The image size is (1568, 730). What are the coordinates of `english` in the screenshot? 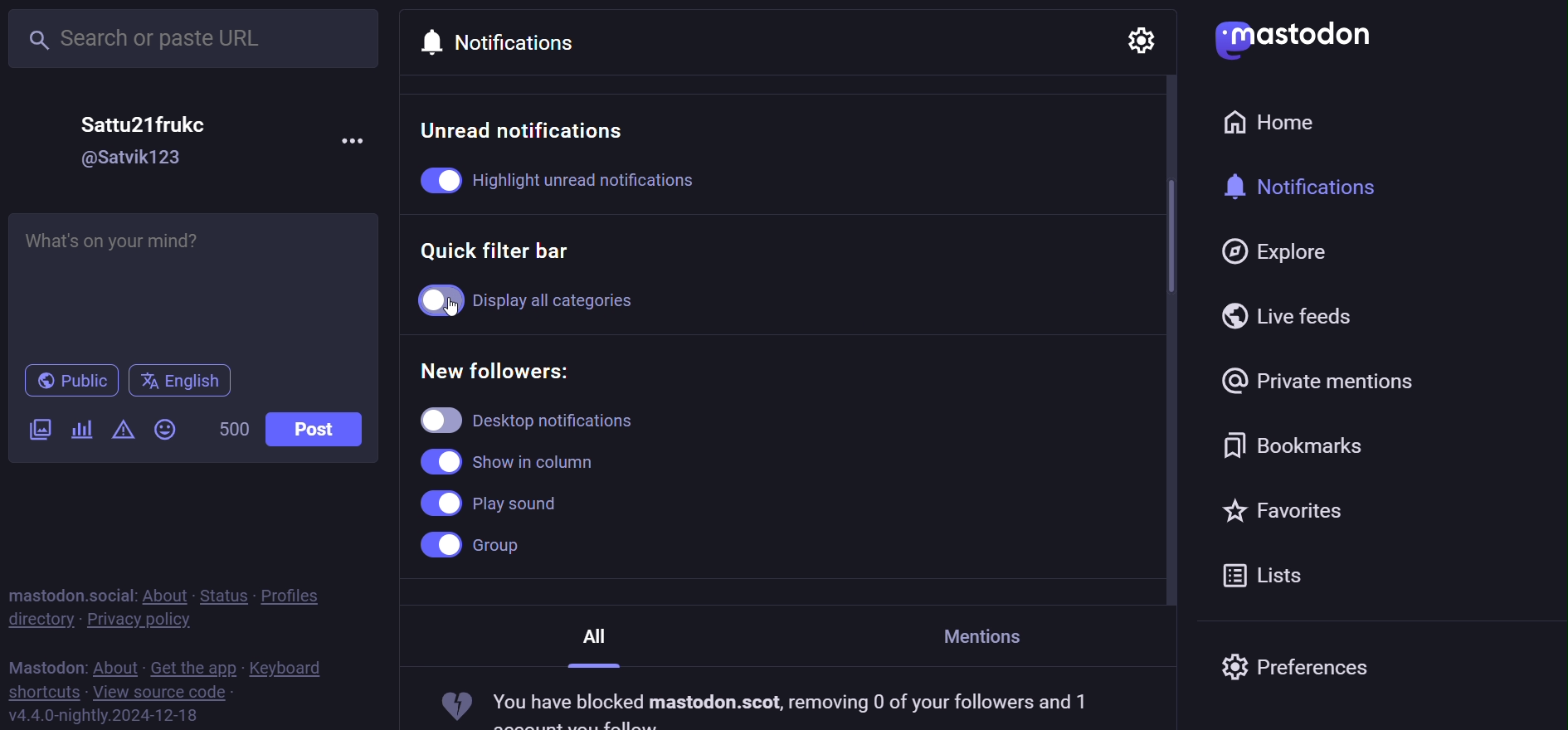 It's located at (179, 380).